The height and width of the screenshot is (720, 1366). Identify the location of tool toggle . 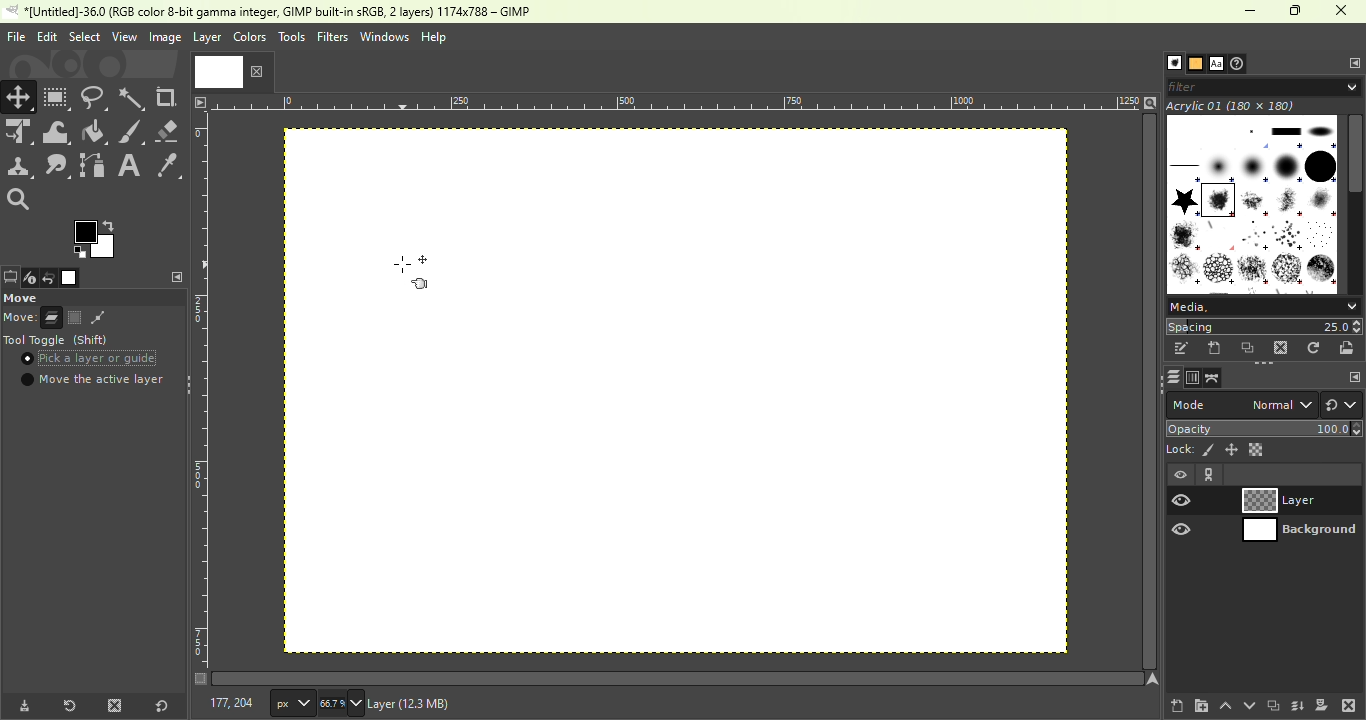
(60, 341).